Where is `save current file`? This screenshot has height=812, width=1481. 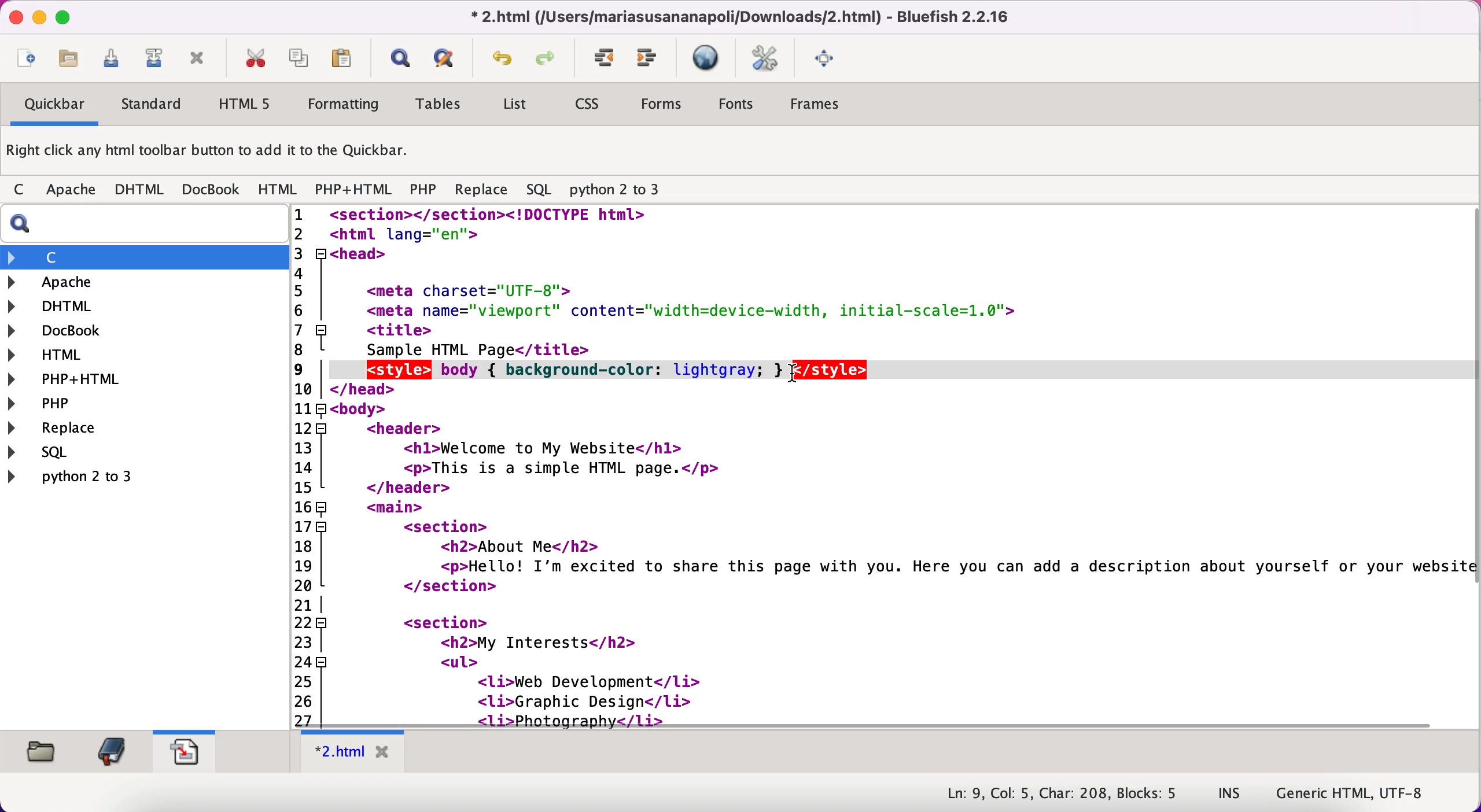
save current file is located at coordinates (116, 62).